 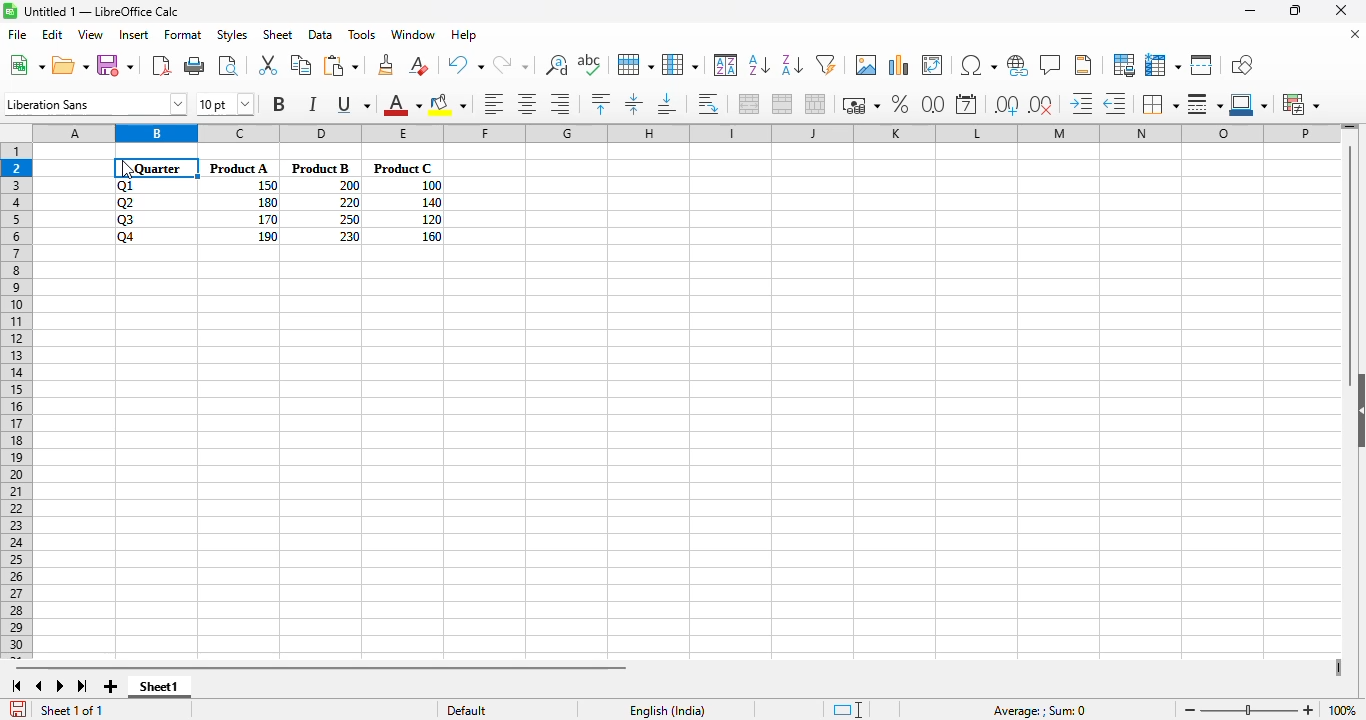 I want to click on Collapse/Expand, so click(x=1361, y=410).